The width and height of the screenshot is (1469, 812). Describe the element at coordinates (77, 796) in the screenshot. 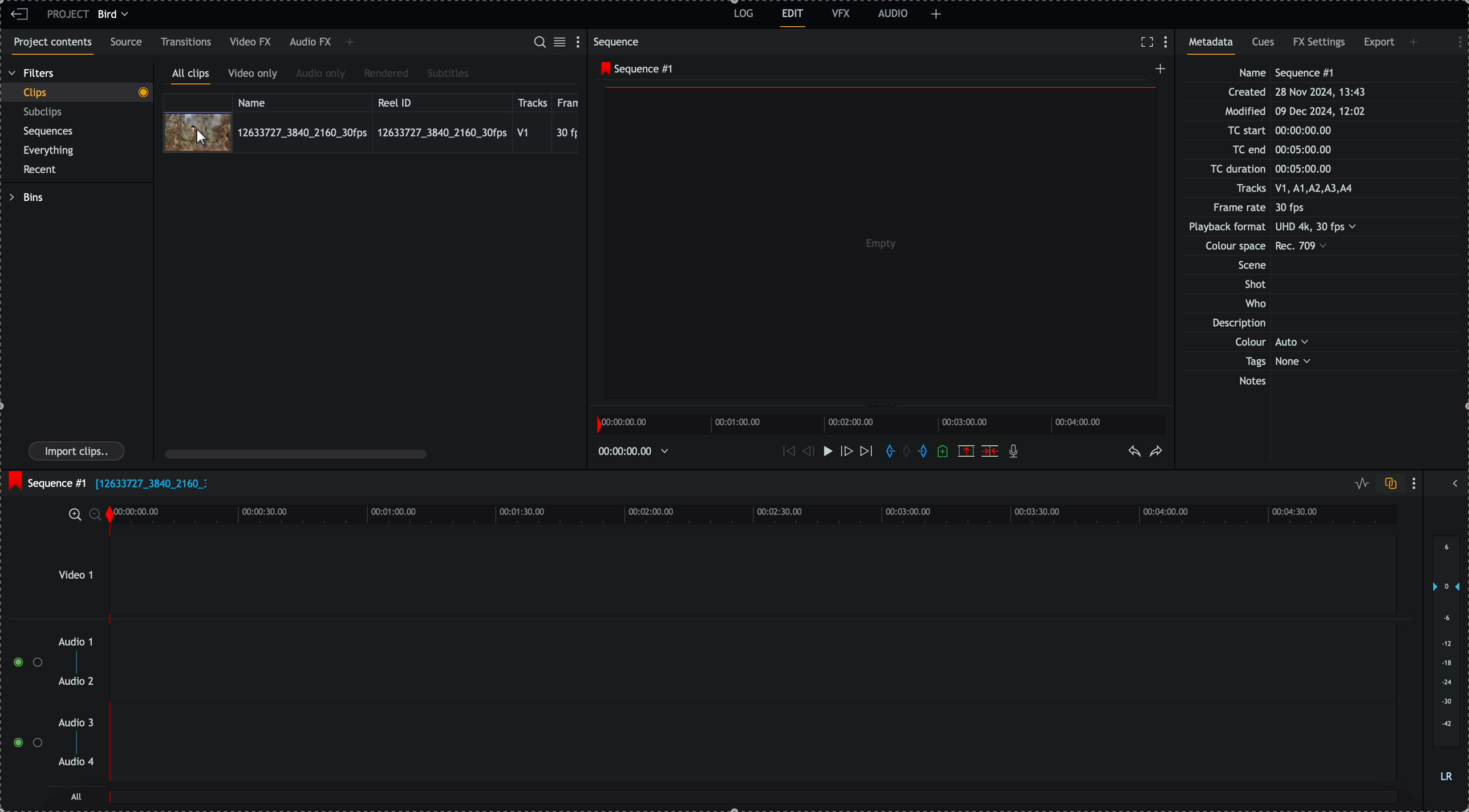

I see `all` at that location.